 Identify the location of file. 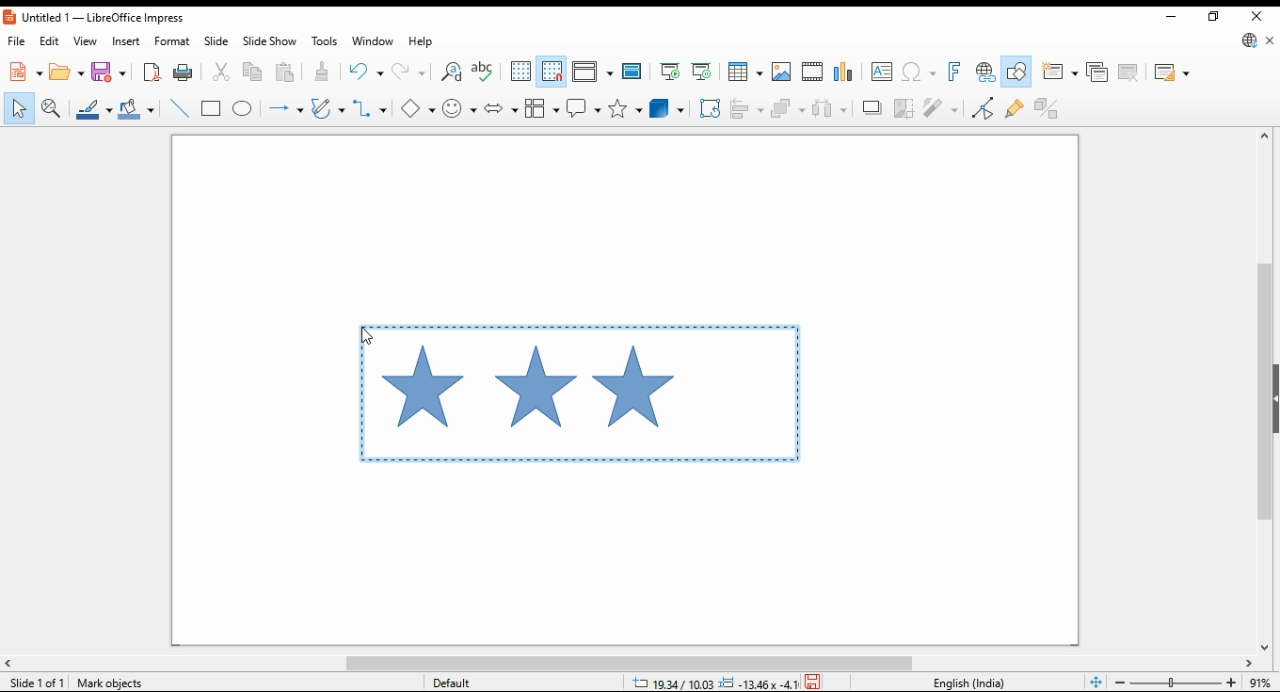
(17, 40).